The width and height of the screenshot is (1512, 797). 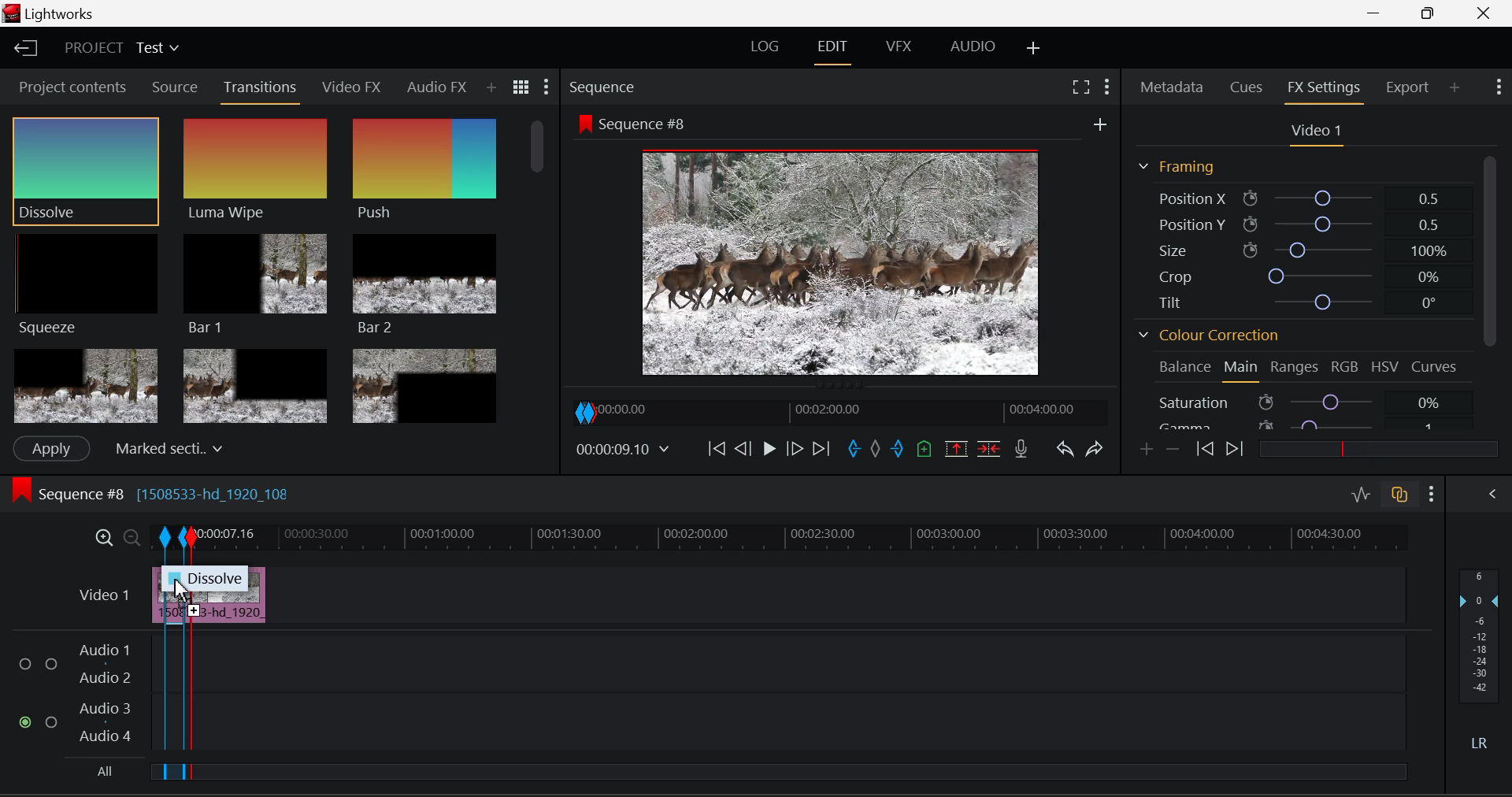 What do you see at coordinates (165, 447) in the screenshot?
I see `Centered here` at bounding box center [165, 447].